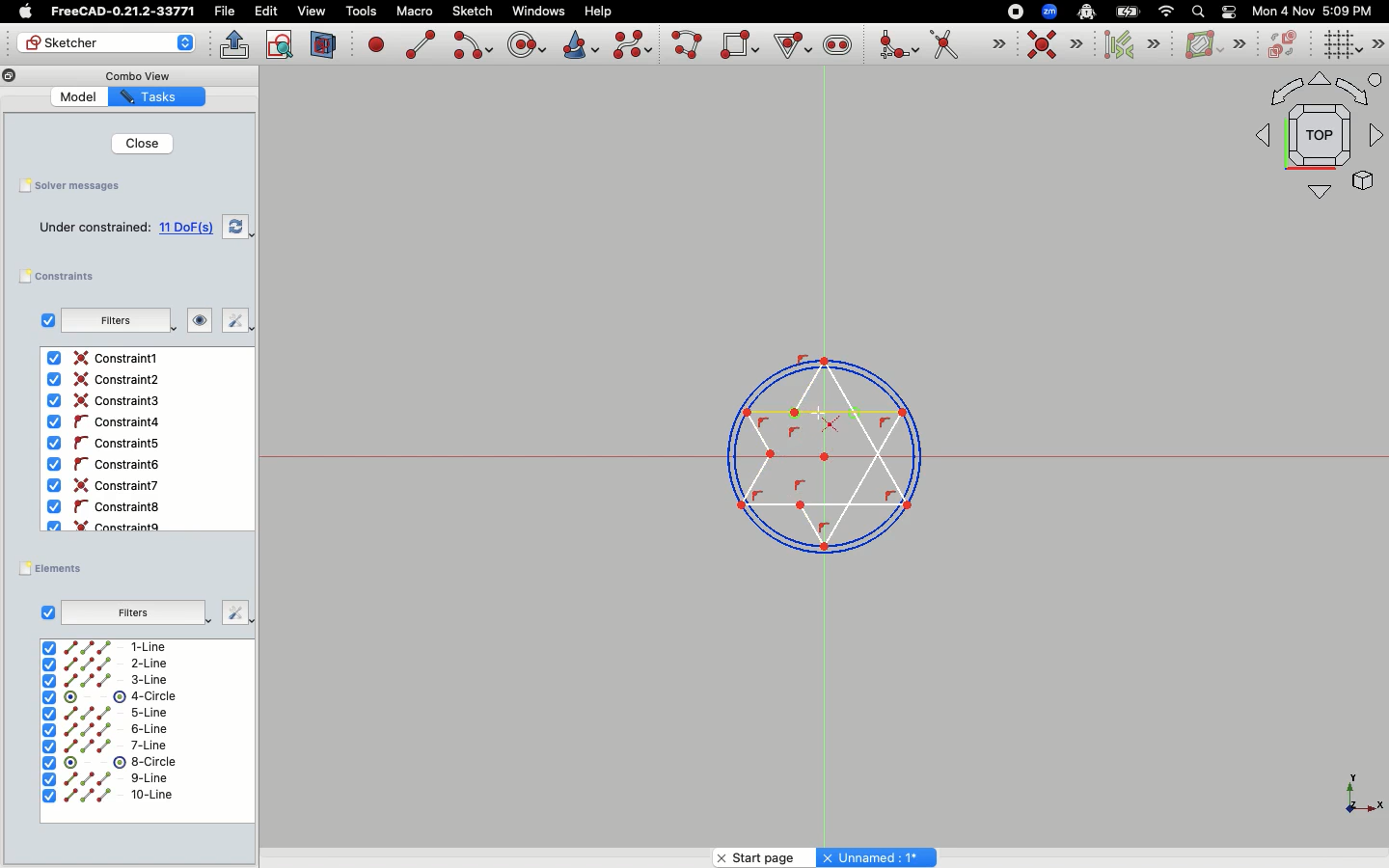 The image size is (1389, 868). What do you see at coordinates (1376, 43) in the screenshot?
I see `Sketch editor tools` at bounding box center [1376, 43].